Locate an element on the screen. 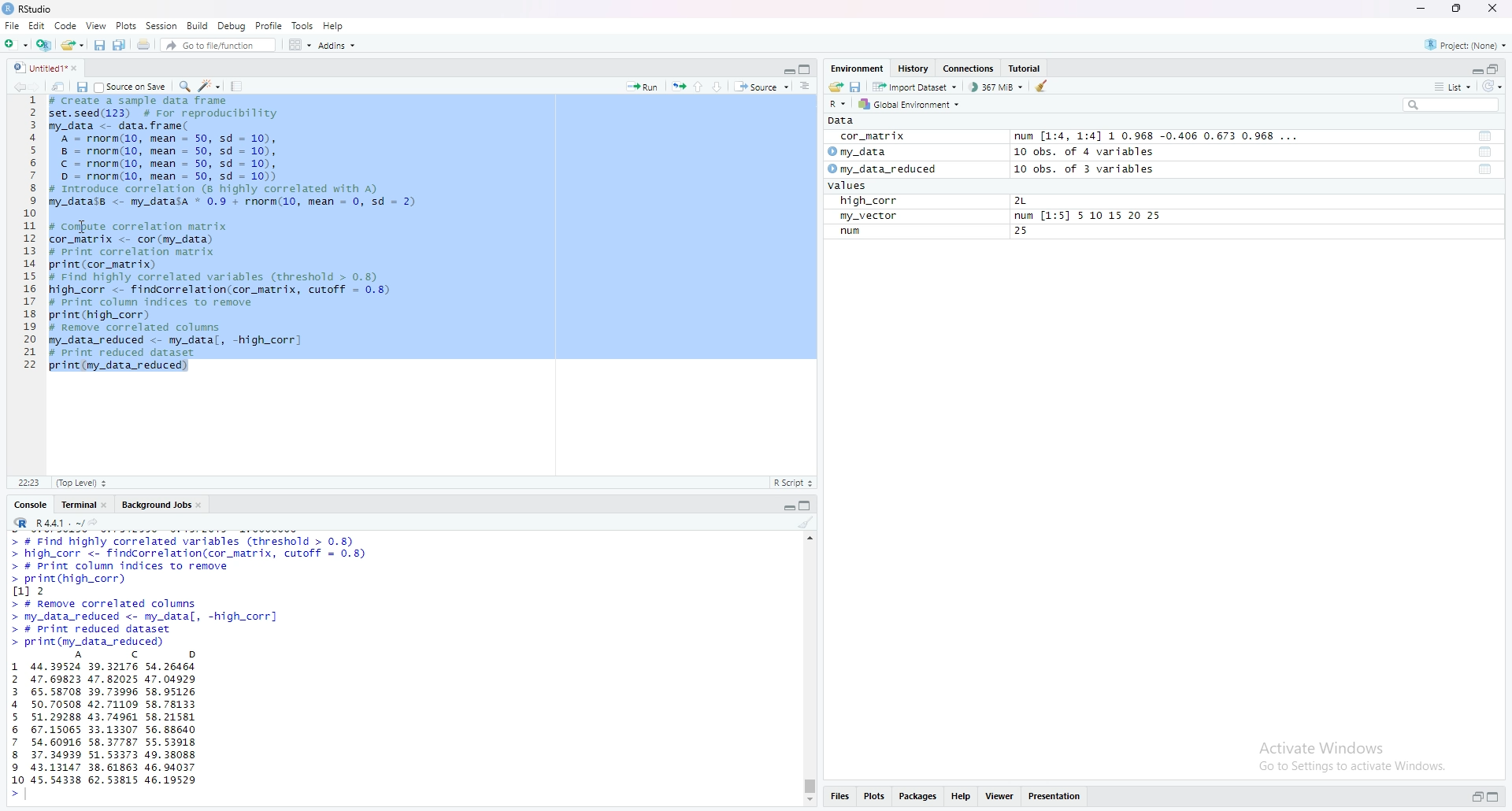 This screenshot has height=811, width=1512. Terminal is located at coordinates (79, 505).